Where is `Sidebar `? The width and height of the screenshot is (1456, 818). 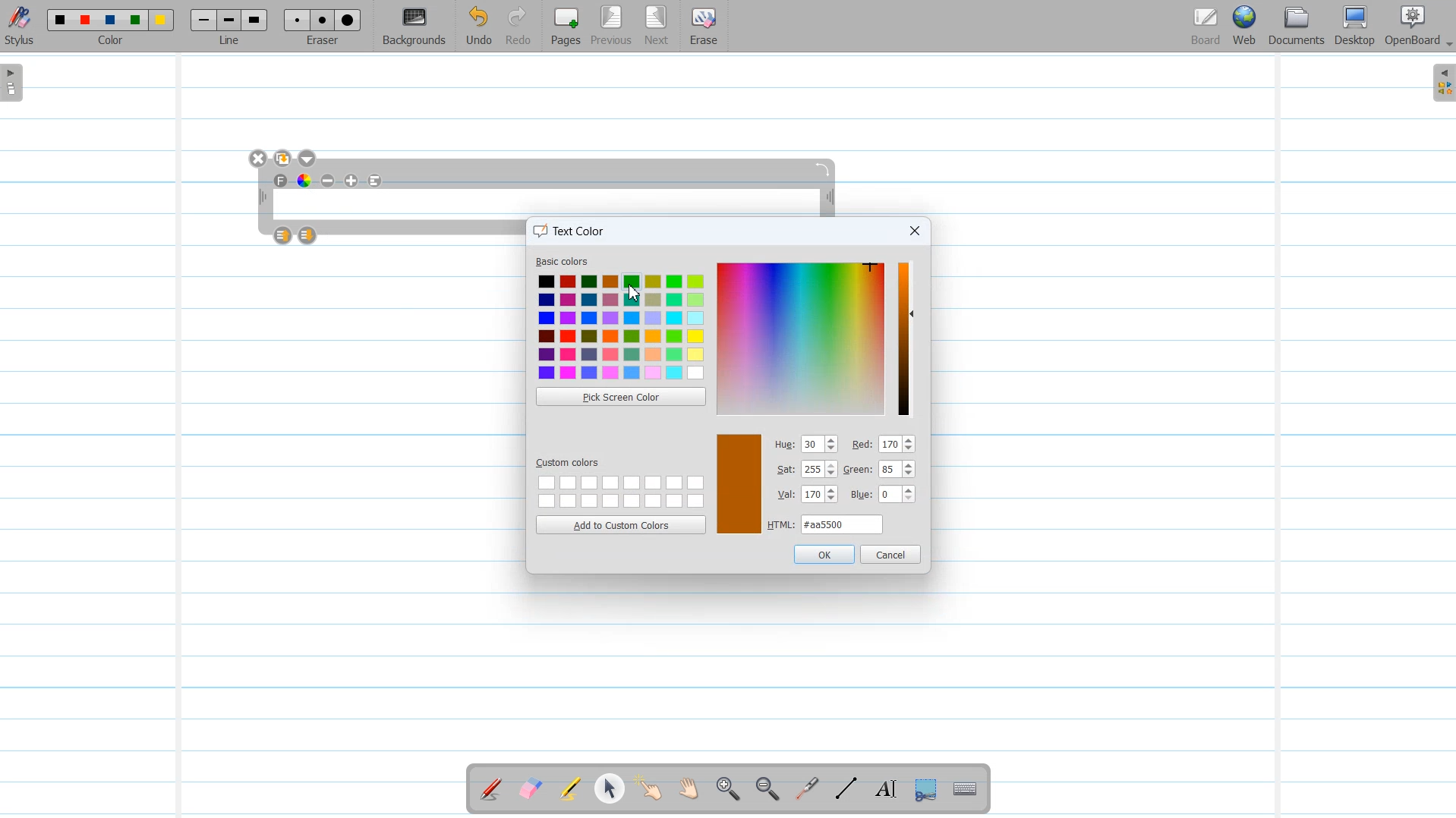
Sidebar  is located at coordinates (1441, 83).